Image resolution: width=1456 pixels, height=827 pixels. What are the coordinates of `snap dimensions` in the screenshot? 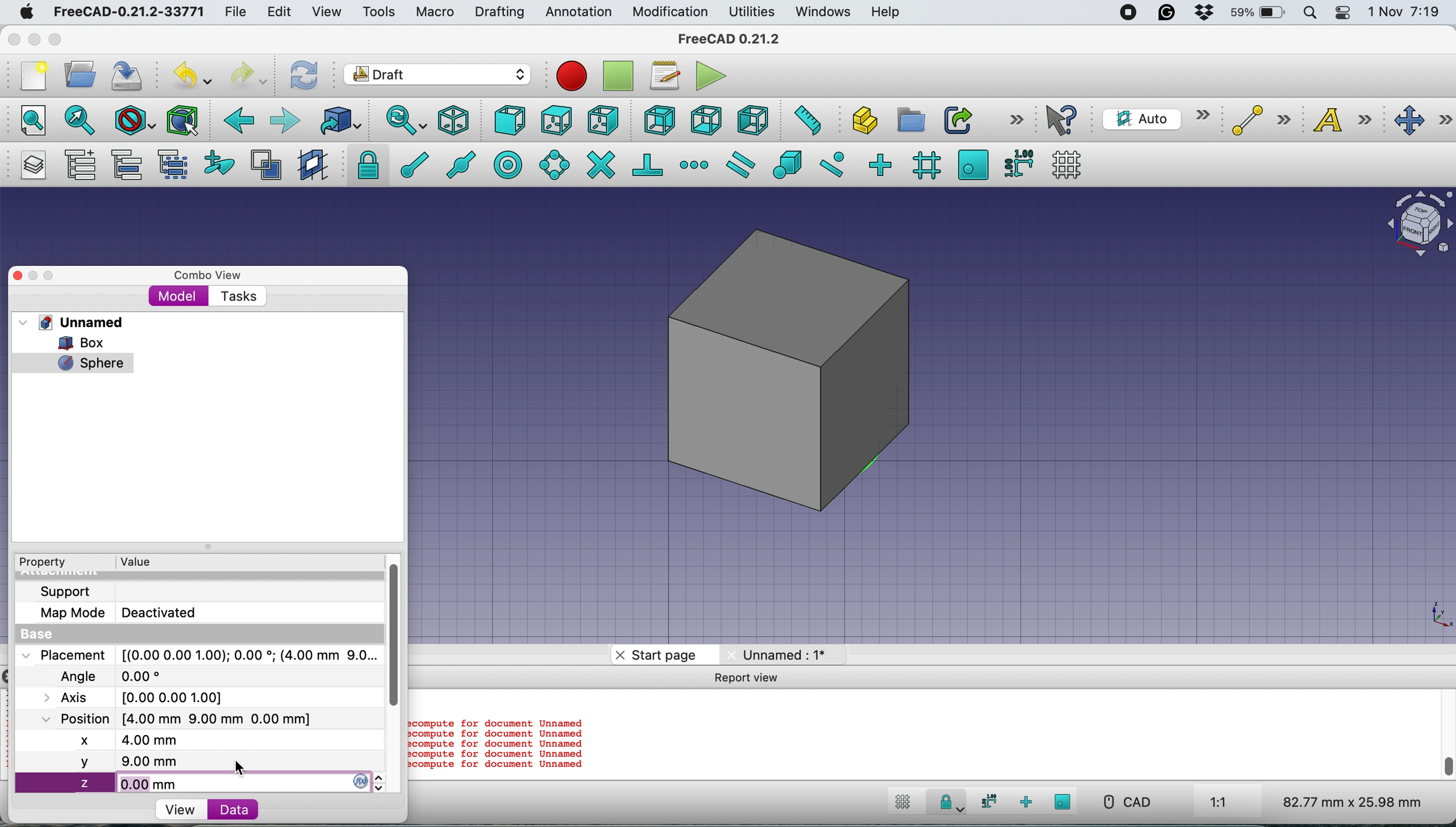 It's located at (1018, 162).